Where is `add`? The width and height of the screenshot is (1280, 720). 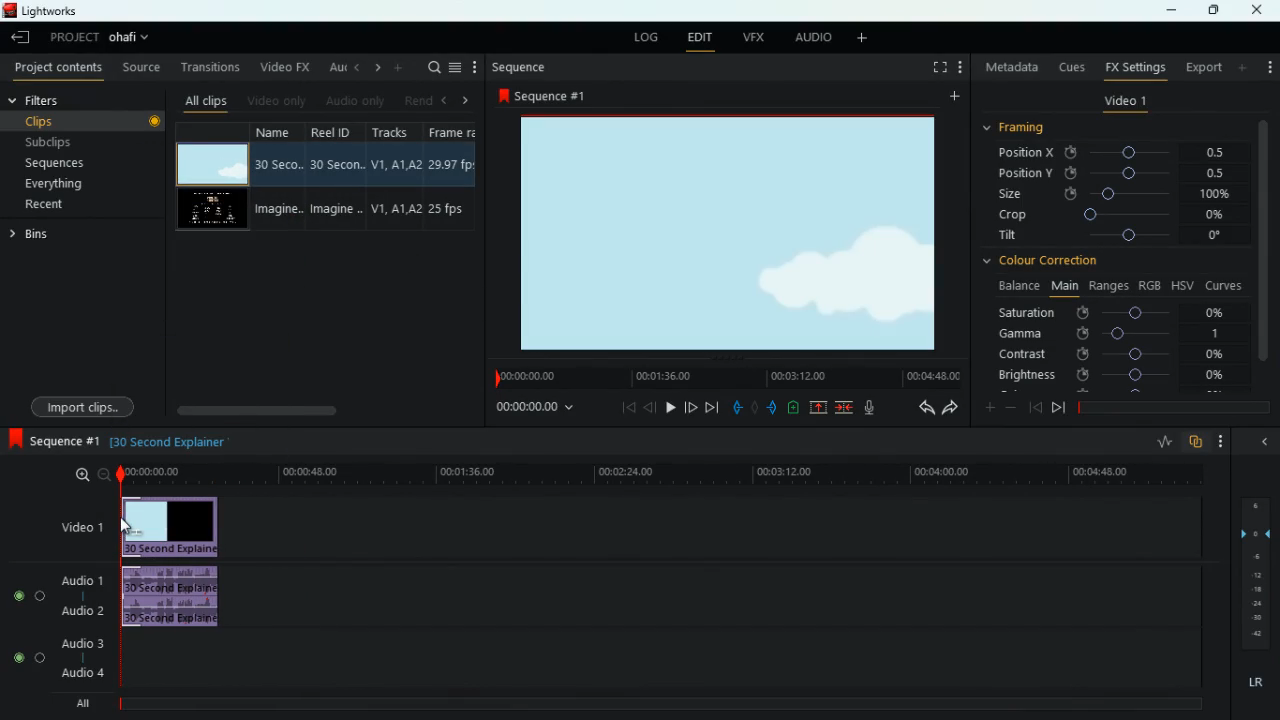 add is located at coordinates (398, 69).